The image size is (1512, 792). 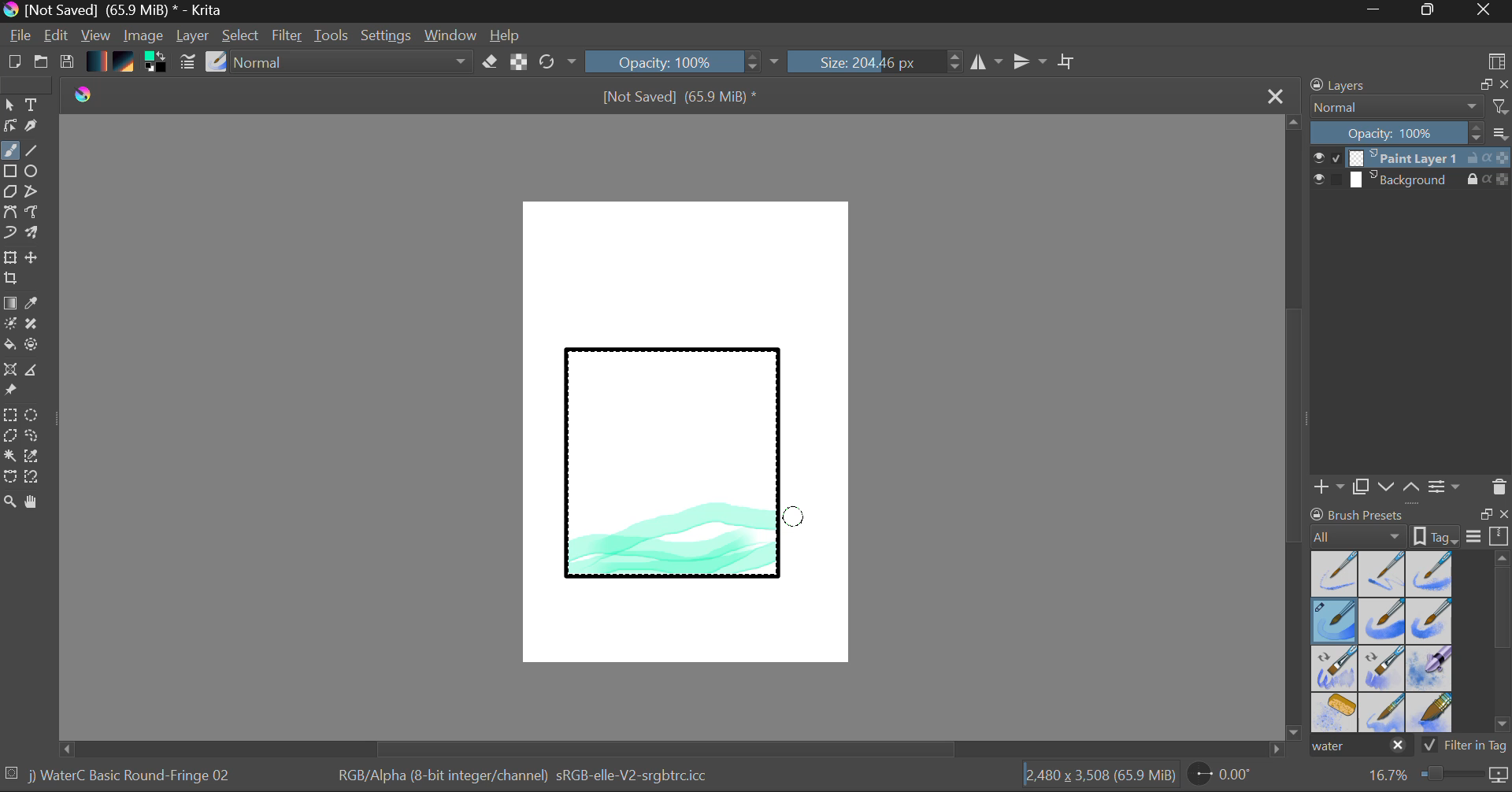 What do you see at coordinates (33, 235) in the screenshot?
I see `Multibrush Tool` at bounding box center [33, 235].